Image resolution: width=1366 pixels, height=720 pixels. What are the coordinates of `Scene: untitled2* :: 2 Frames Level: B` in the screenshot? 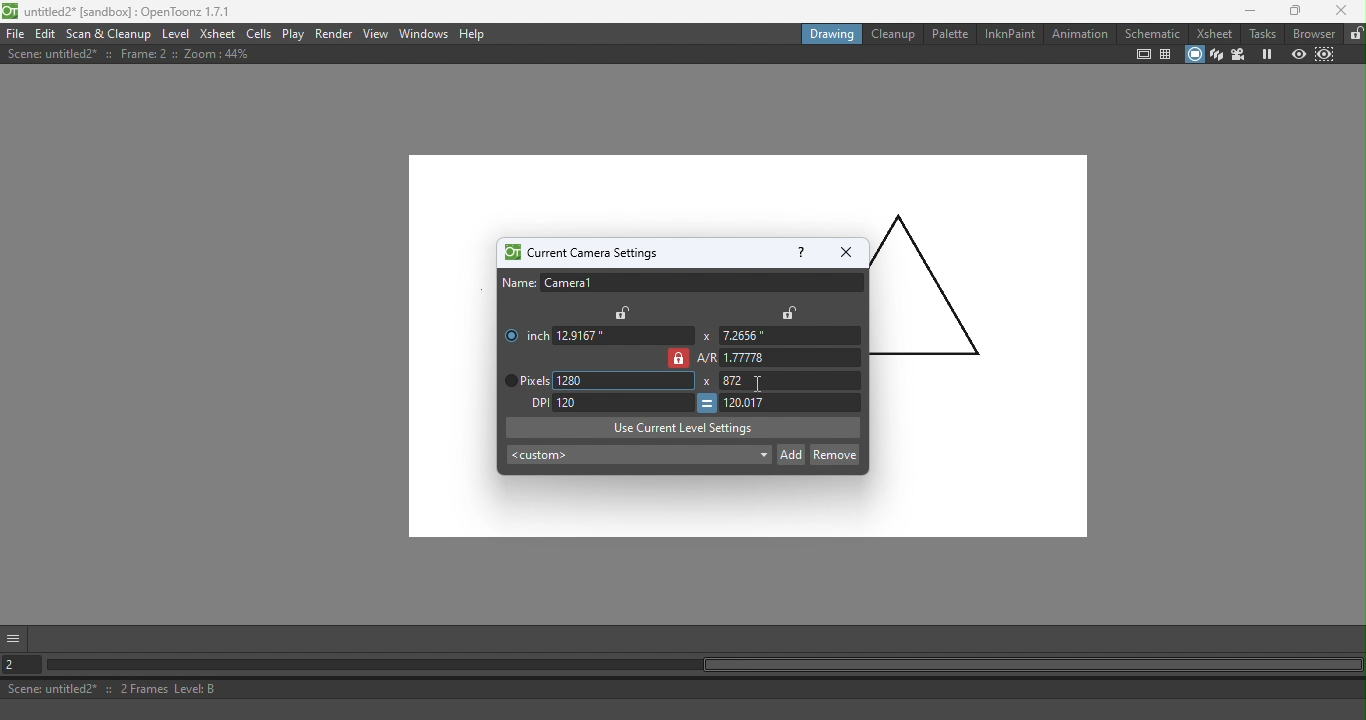 It's located at (685, 688).